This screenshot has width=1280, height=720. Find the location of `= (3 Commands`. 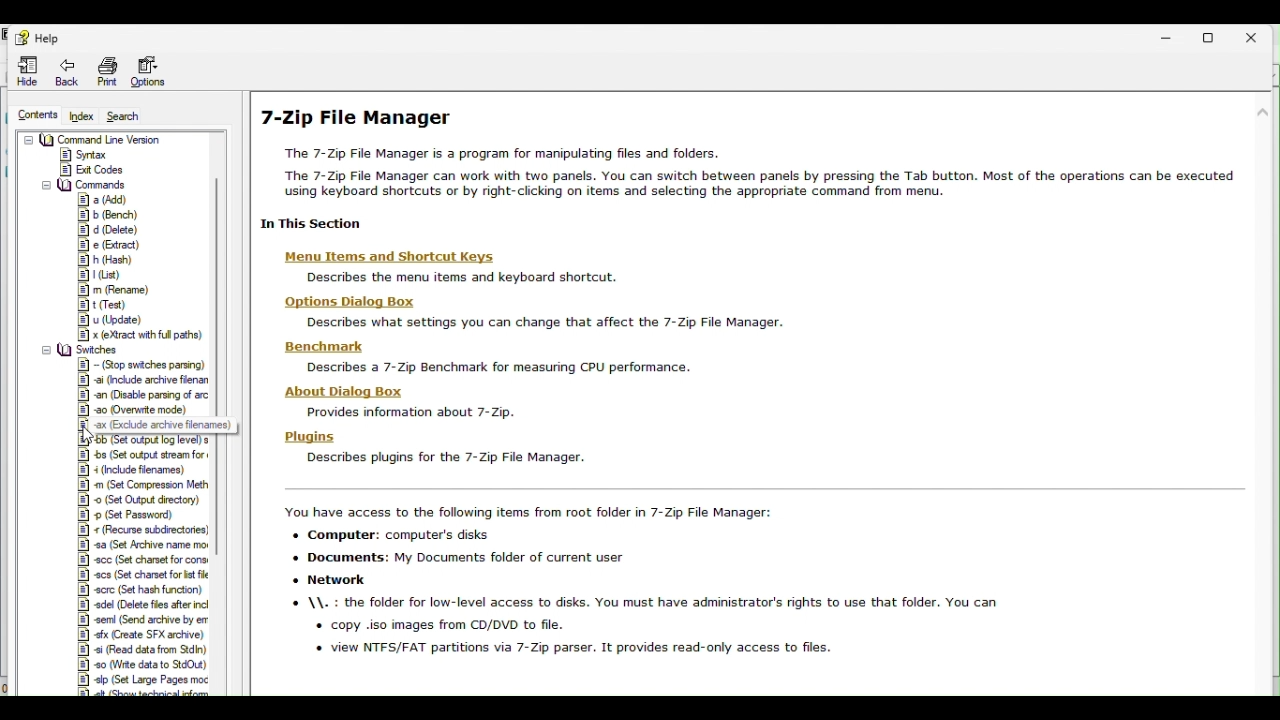

= (3 Commands is located at coordinates (86, 184).